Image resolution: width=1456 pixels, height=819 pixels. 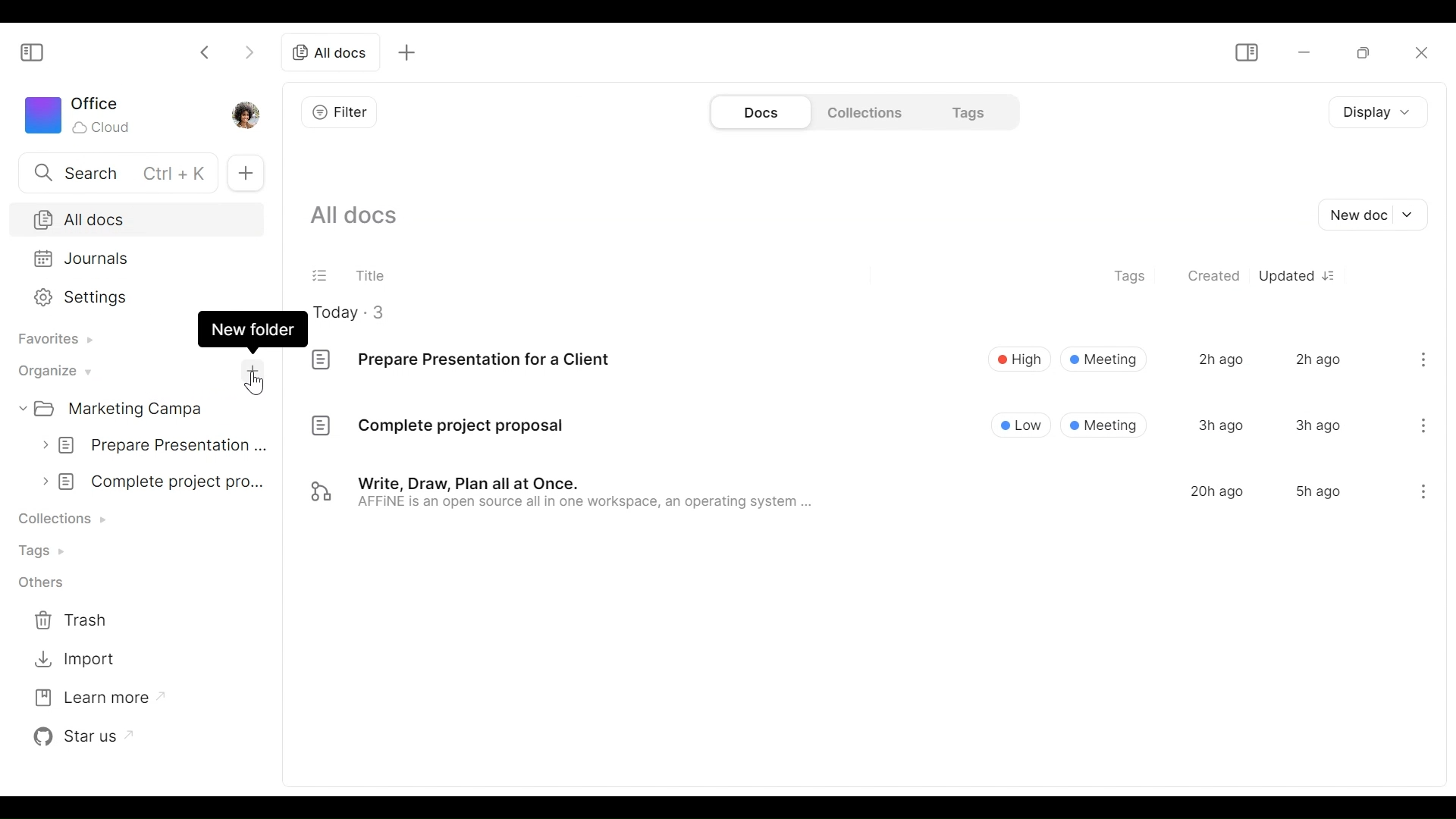 What do you see at coordinates (437, 428) in the screenshot?
I see `[E] Complete project proposal` at bounding box center [437, 428].